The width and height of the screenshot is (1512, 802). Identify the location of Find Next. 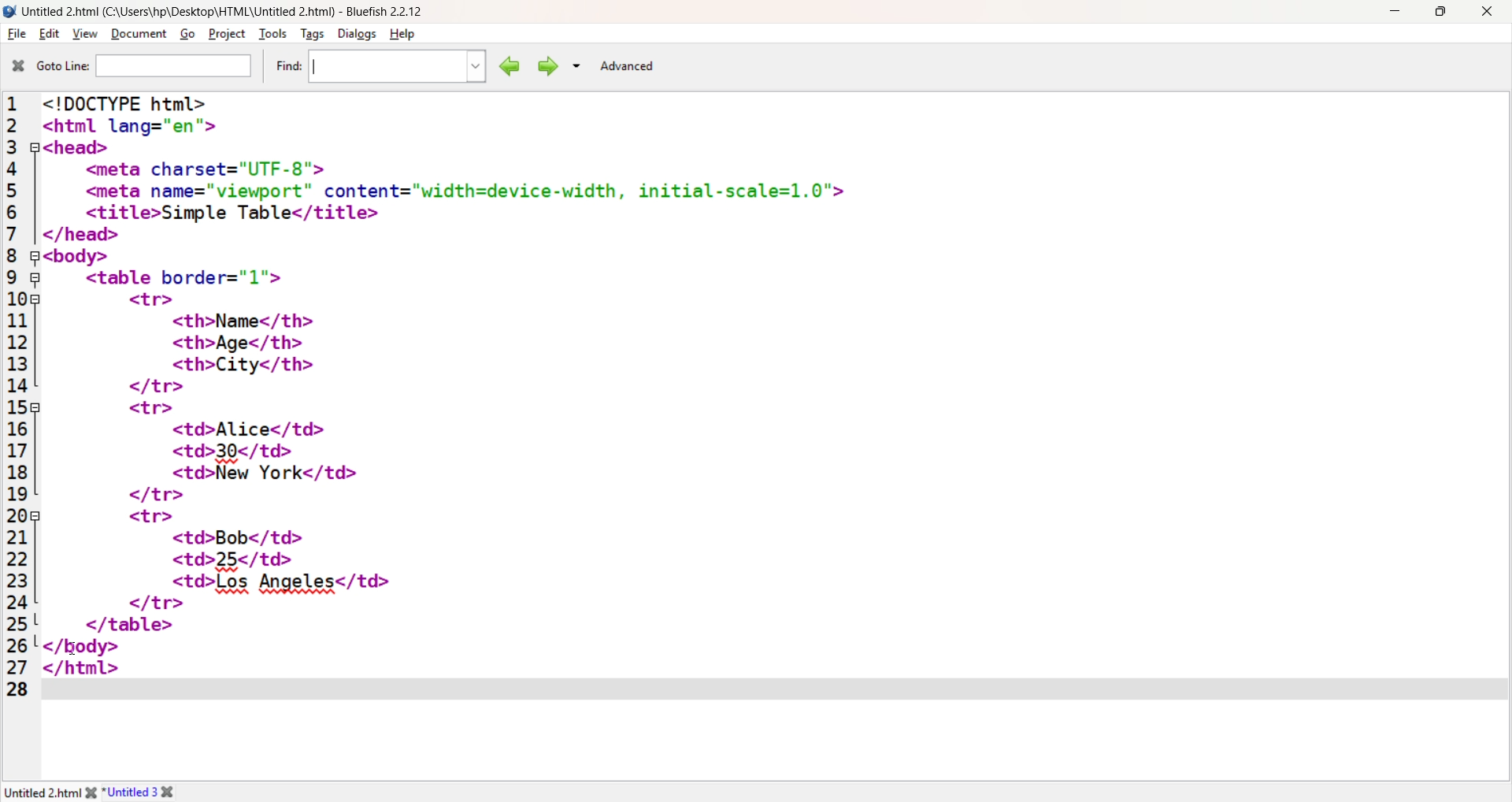
(547, 66).